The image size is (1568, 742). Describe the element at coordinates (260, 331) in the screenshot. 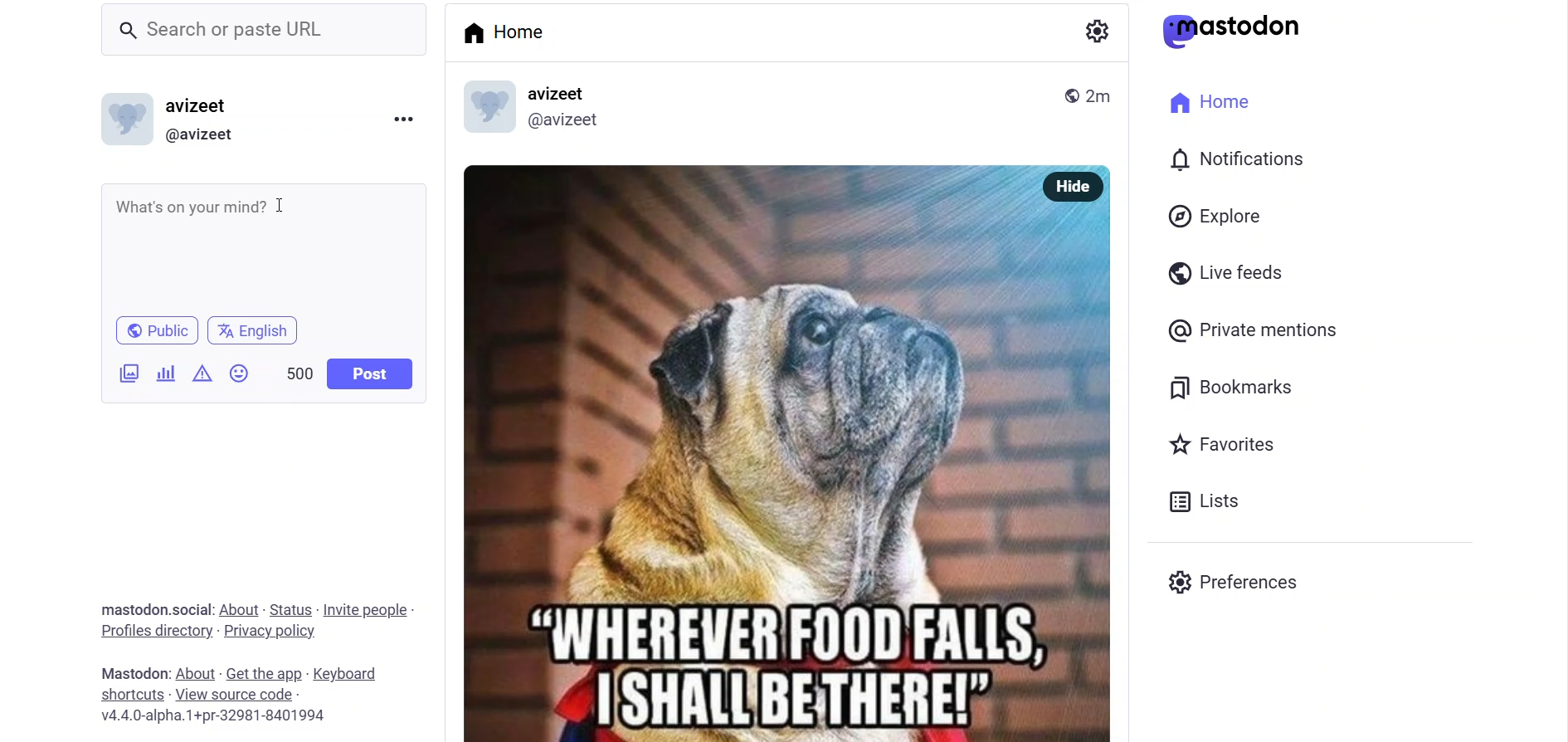

I see `english` at that location.